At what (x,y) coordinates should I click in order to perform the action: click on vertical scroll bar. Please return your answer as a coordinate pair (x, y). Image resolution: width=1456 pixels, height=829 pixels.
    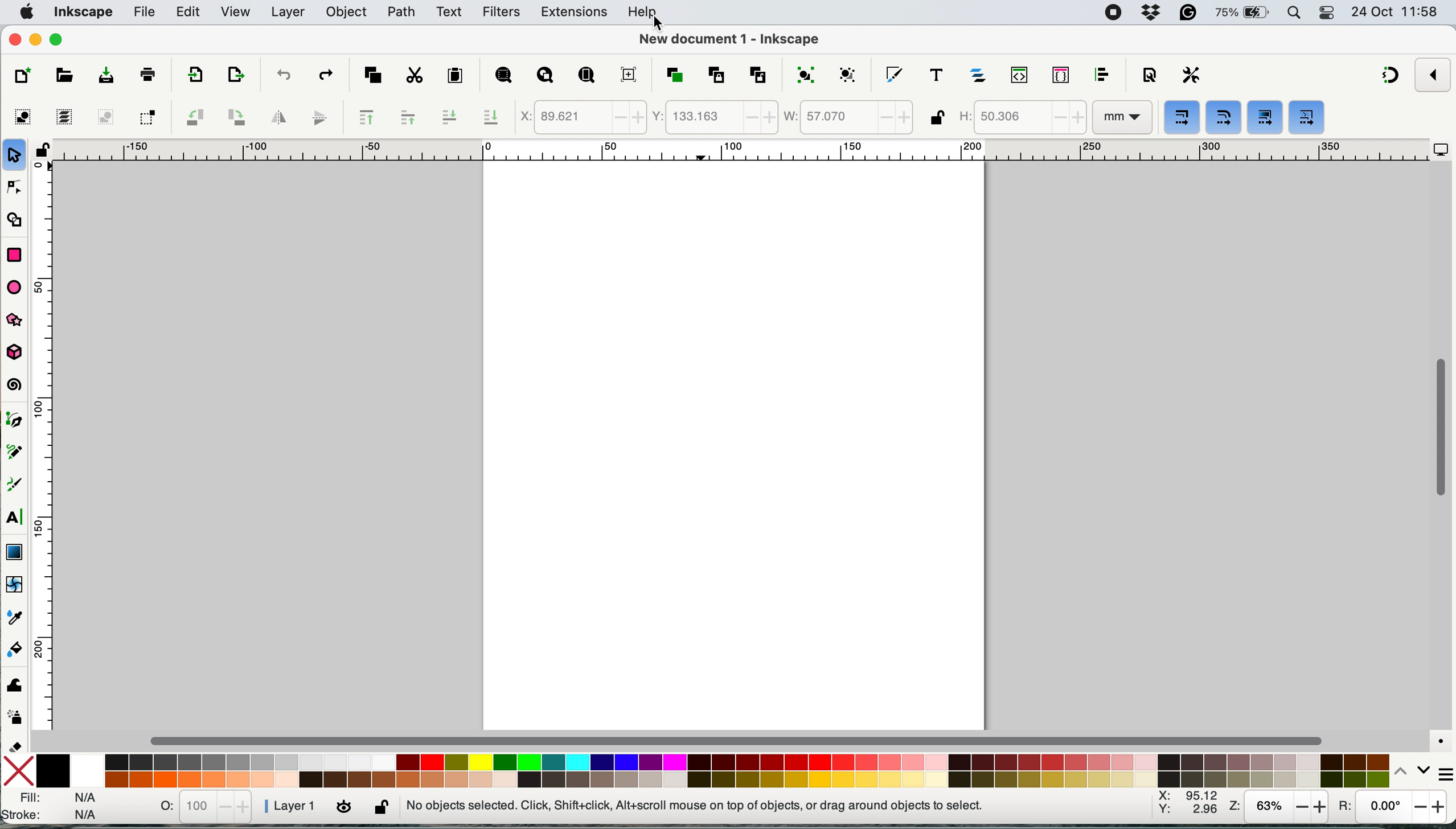
    Looking at the image, I should click on (1438, 426).